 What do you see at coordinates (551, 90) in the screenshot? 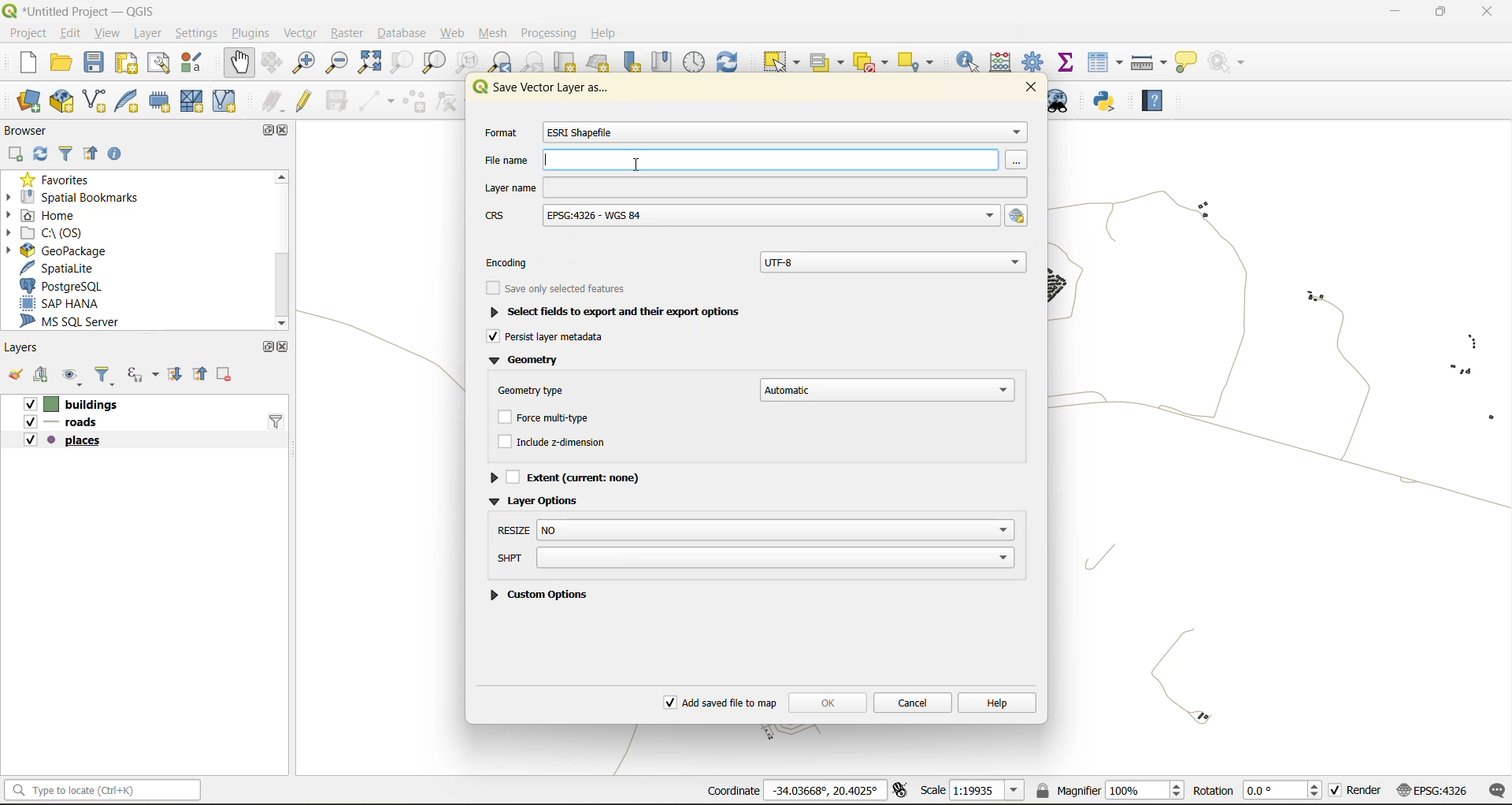
I see `save vector layer as` at bounding box center [551, 90].